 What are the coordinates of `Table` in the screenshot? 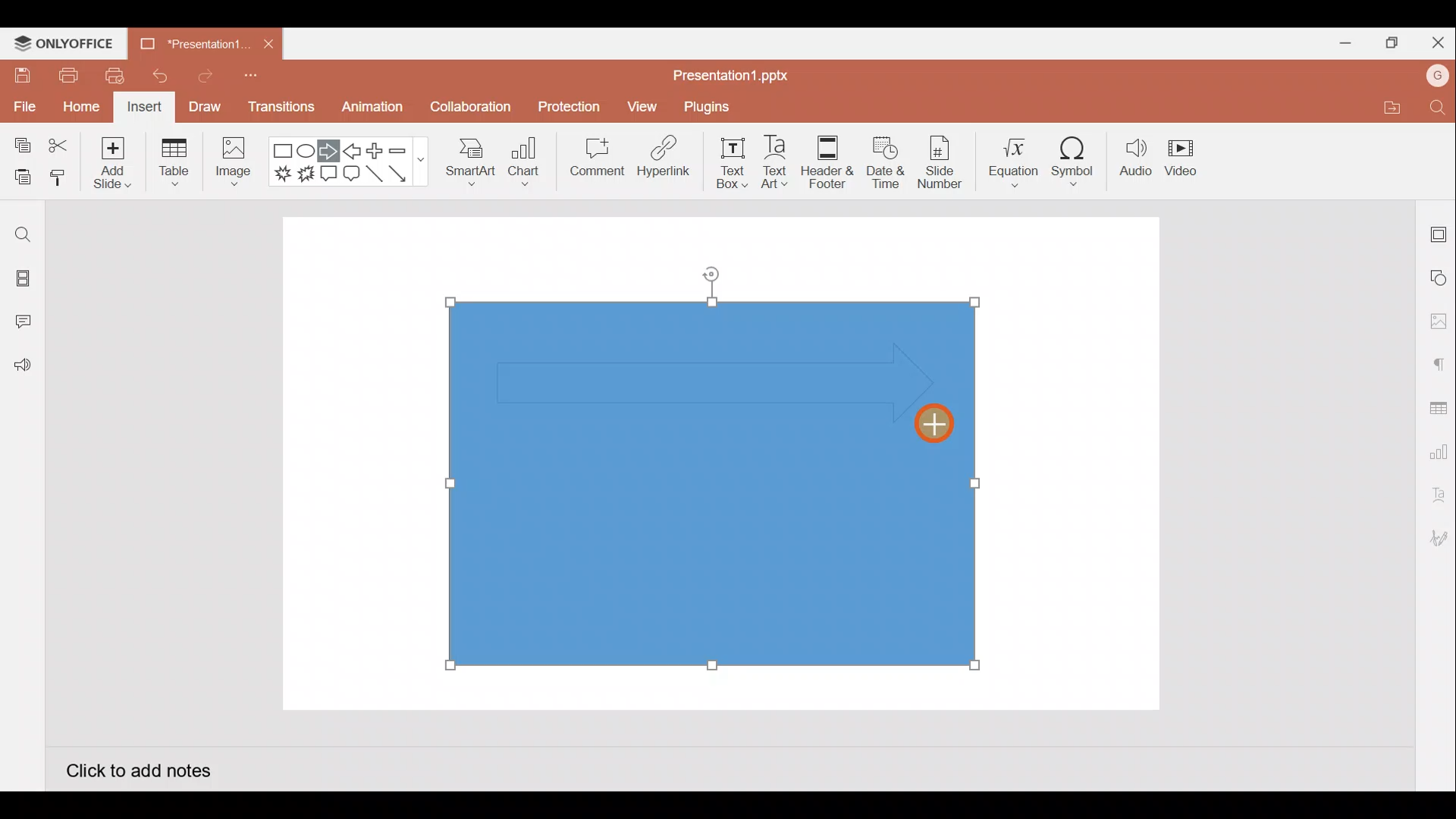 It's located at (176, 164).